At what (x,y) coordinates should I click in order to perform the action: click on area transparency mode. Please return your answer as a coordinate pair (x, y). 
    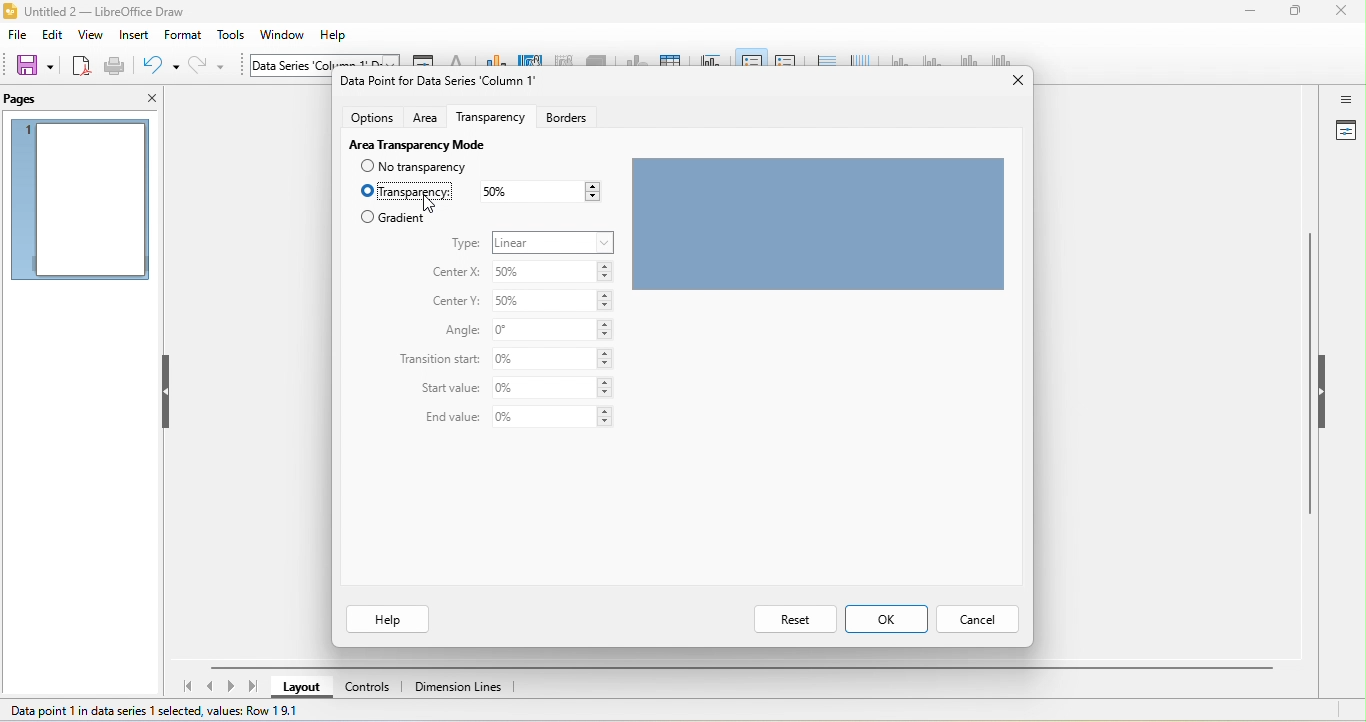
    Looking at the image, I should click on (436, 144).